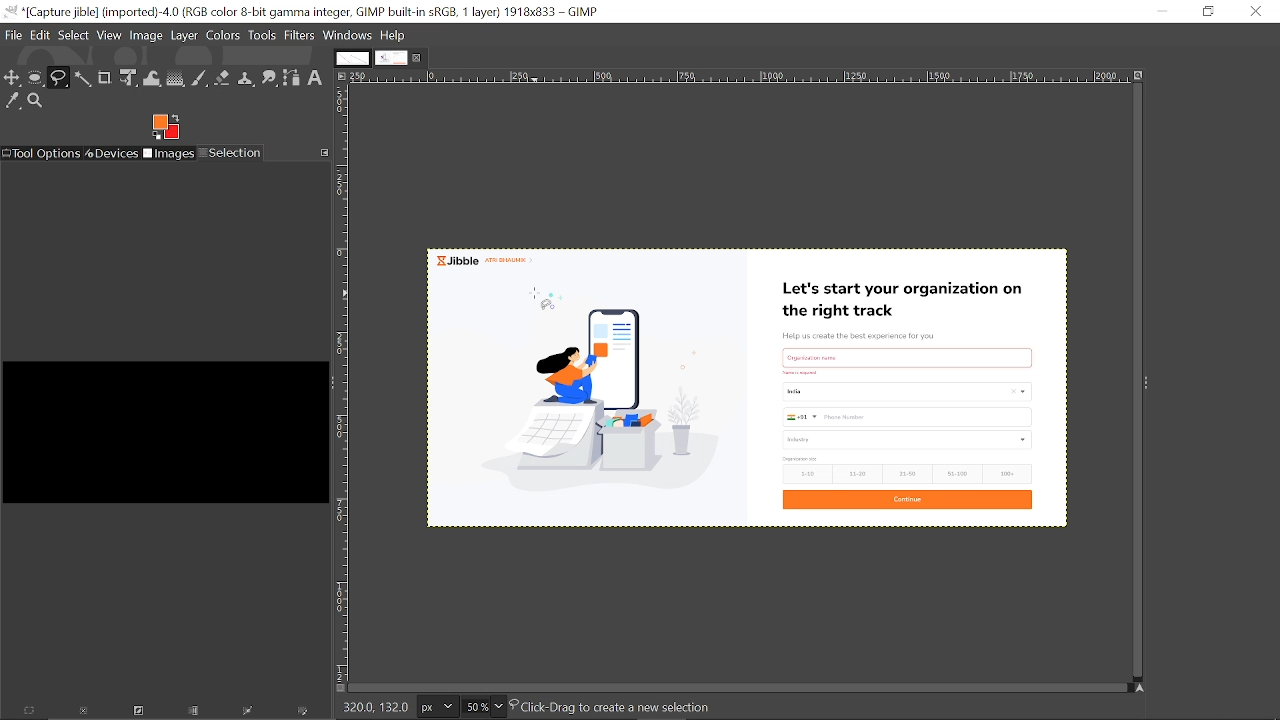 This screenshot has height=720, width=1280. What do you see at coordinates (618, 705) in the screenshot?
I see `click- drag to create a new selection` at bounding box center [618, 705].